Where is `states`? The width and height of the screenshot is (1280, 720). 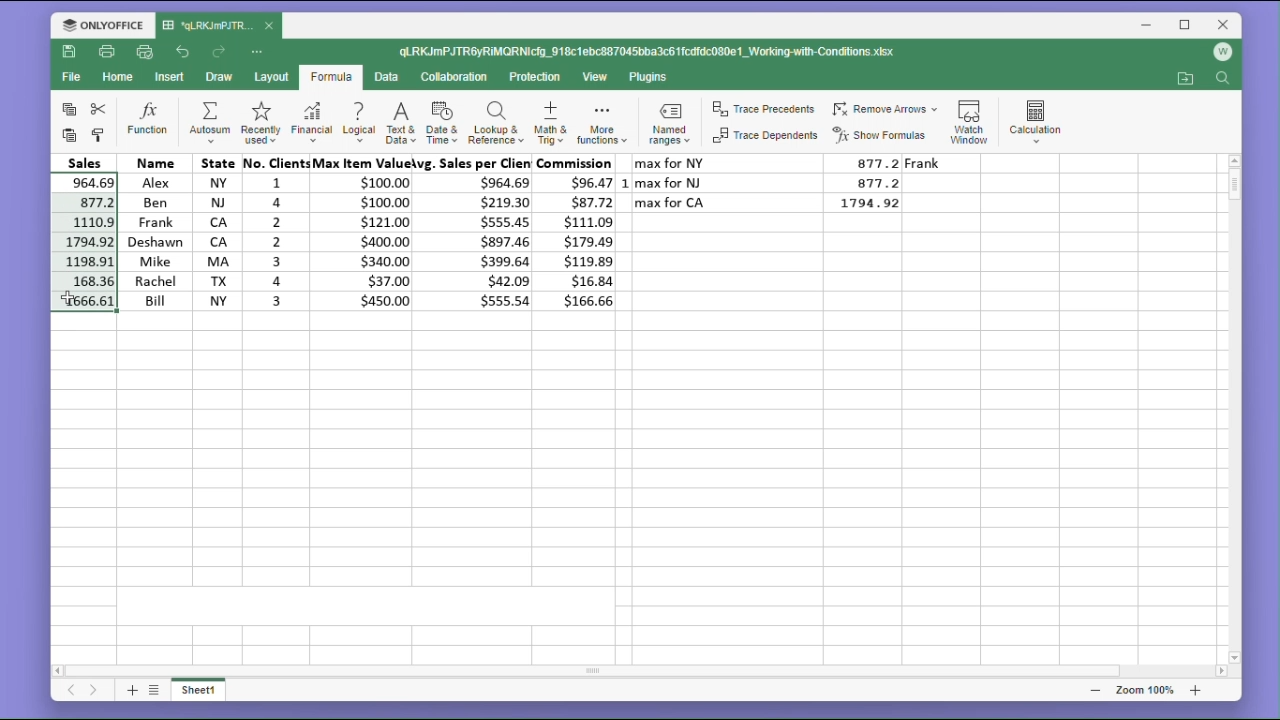 states is located at coordinates (211, 232).